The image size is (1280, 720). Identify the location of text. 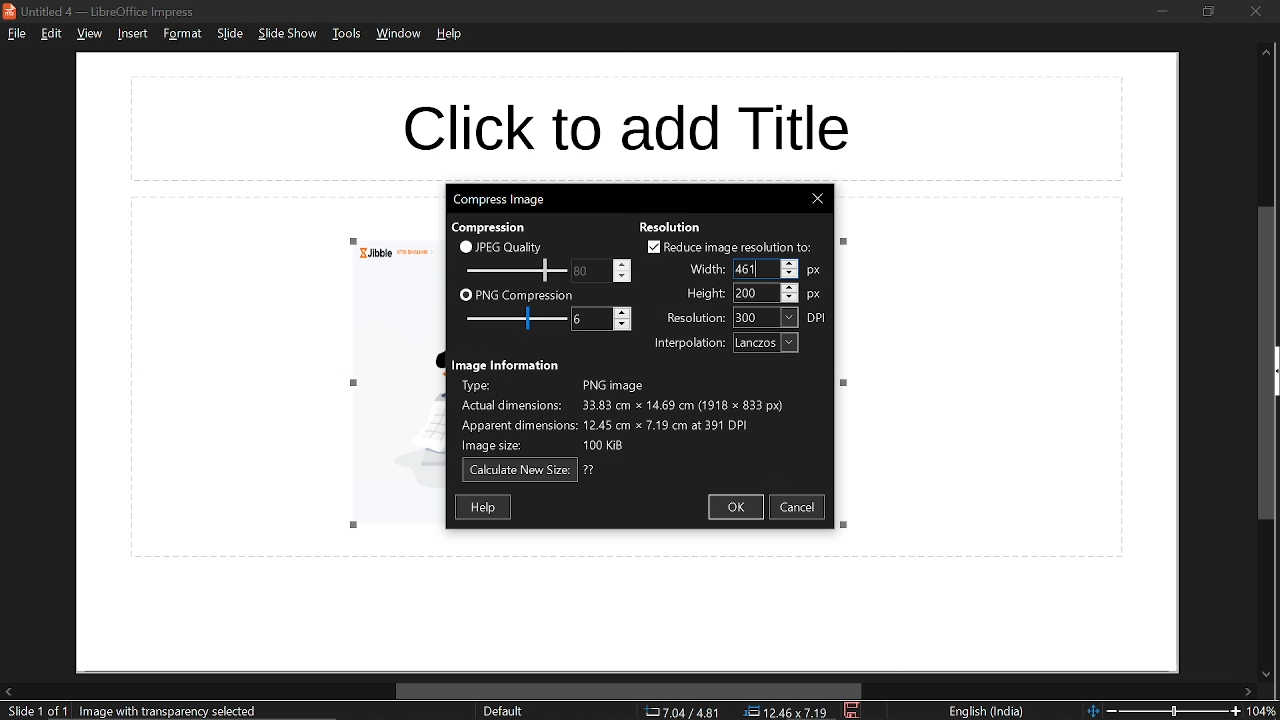
(689, 344).